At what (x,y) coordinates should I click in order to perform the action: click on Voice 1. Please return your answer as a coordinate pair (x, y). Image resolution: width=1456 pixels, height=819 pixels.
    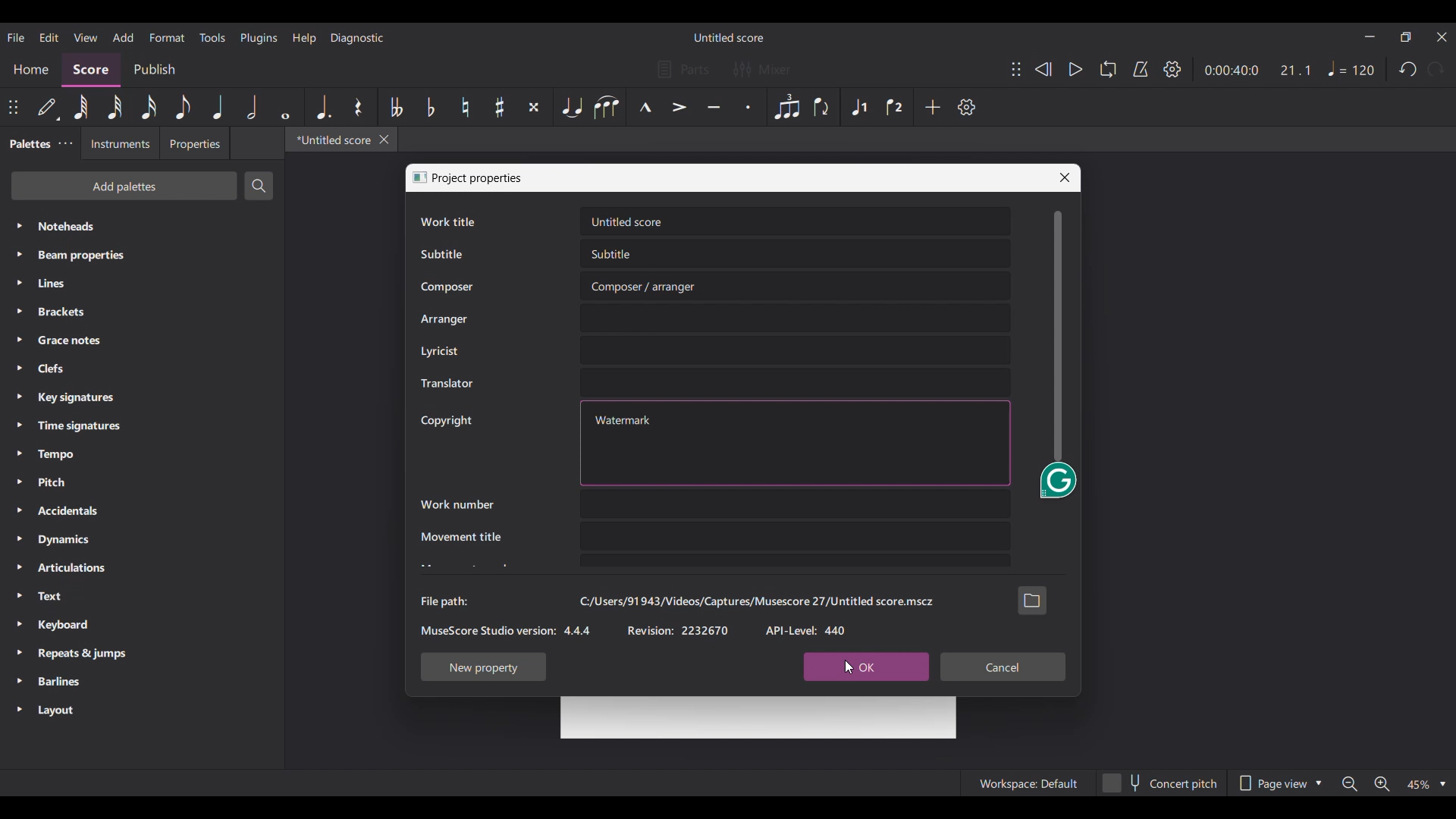
    Looking at the image, I should click on (858, 107).